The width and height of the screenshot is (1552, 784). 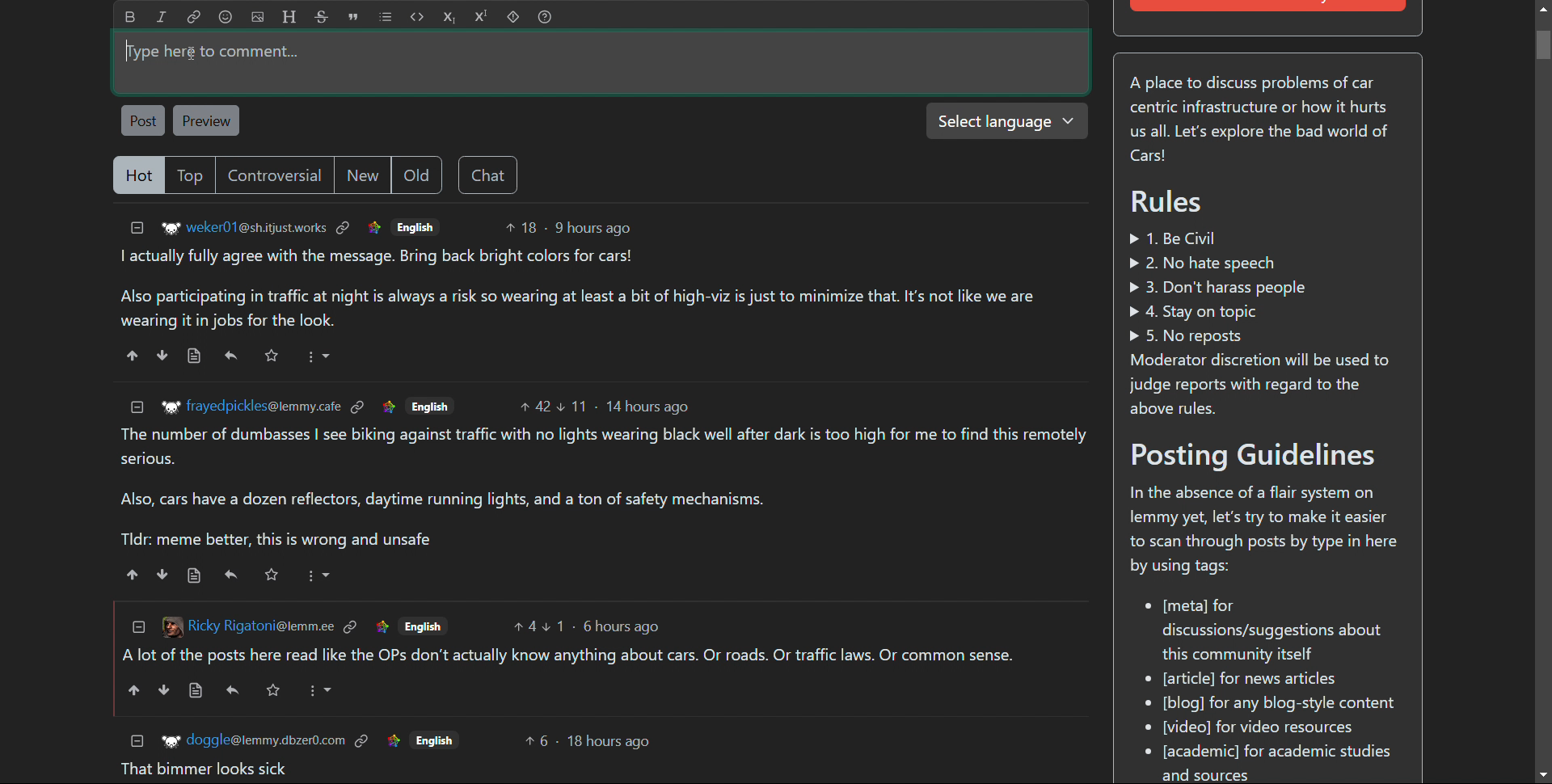 I want to click on More, so click(x=320, y=691).